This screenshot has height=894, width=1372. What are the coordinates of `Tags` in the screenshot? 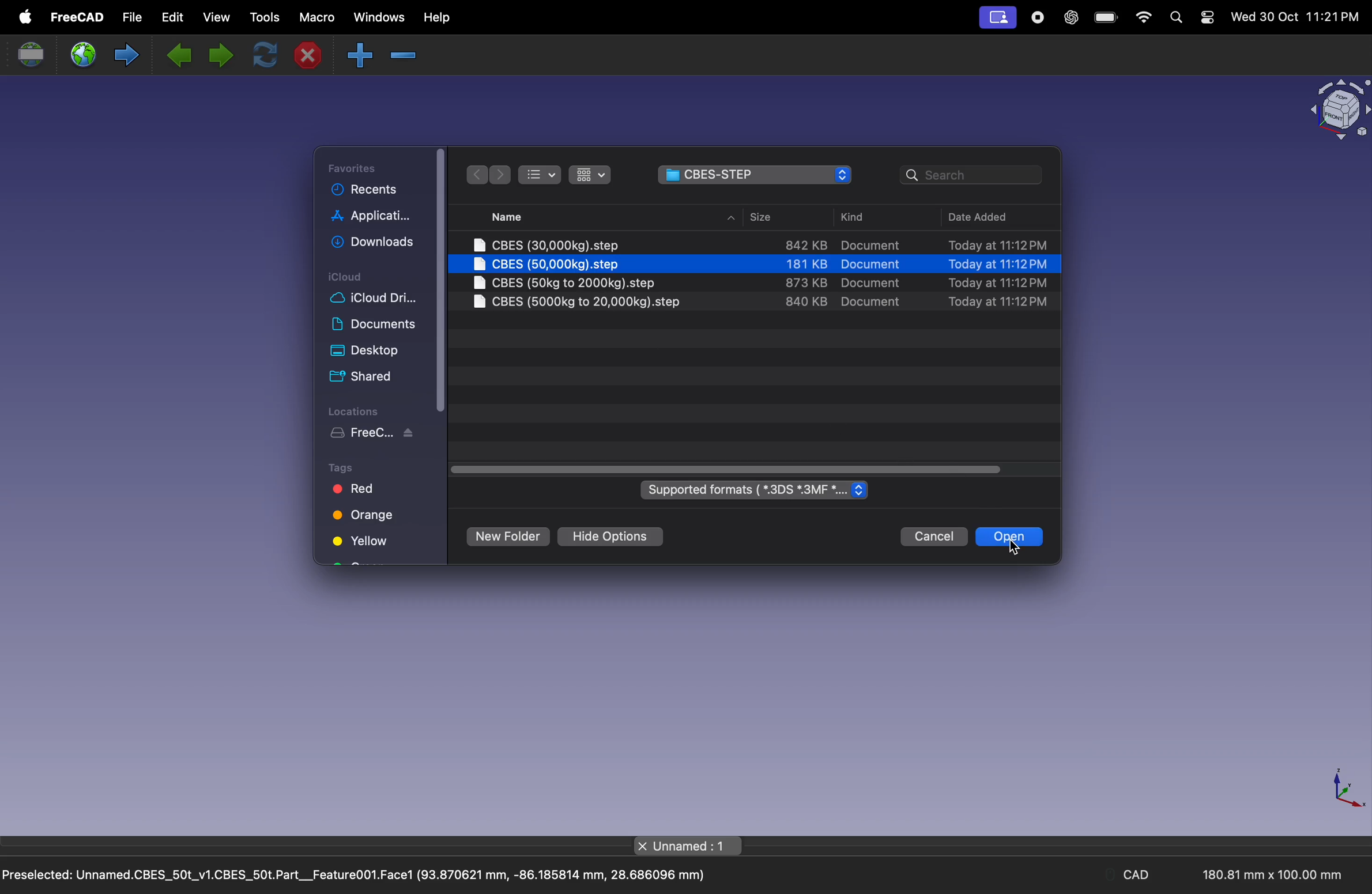 It's located at (344, 467).